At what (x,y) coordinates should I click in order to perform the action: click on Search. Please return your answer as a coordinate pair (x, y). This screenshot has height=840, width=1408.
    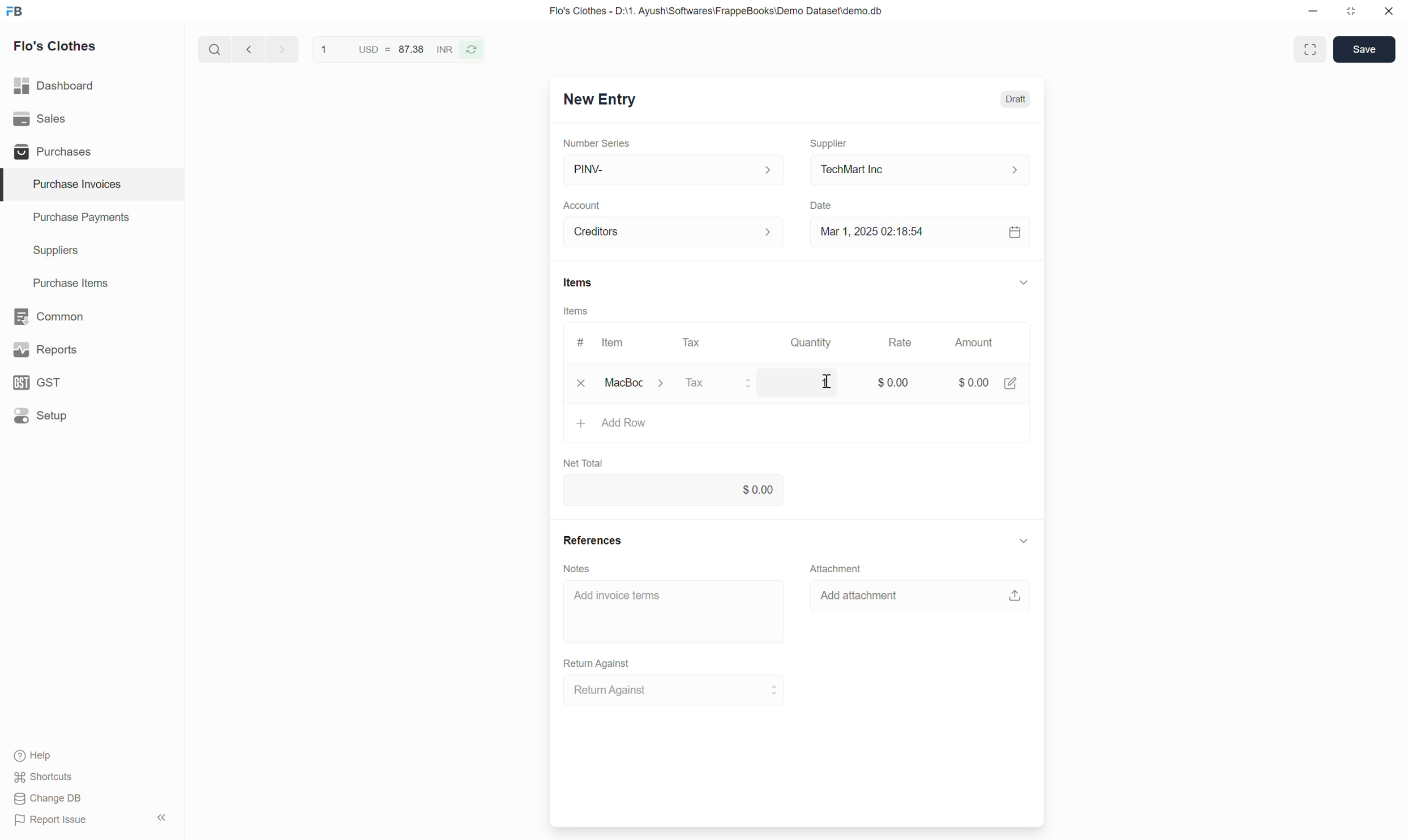
    Looking at the image, I should click on (215, 49).